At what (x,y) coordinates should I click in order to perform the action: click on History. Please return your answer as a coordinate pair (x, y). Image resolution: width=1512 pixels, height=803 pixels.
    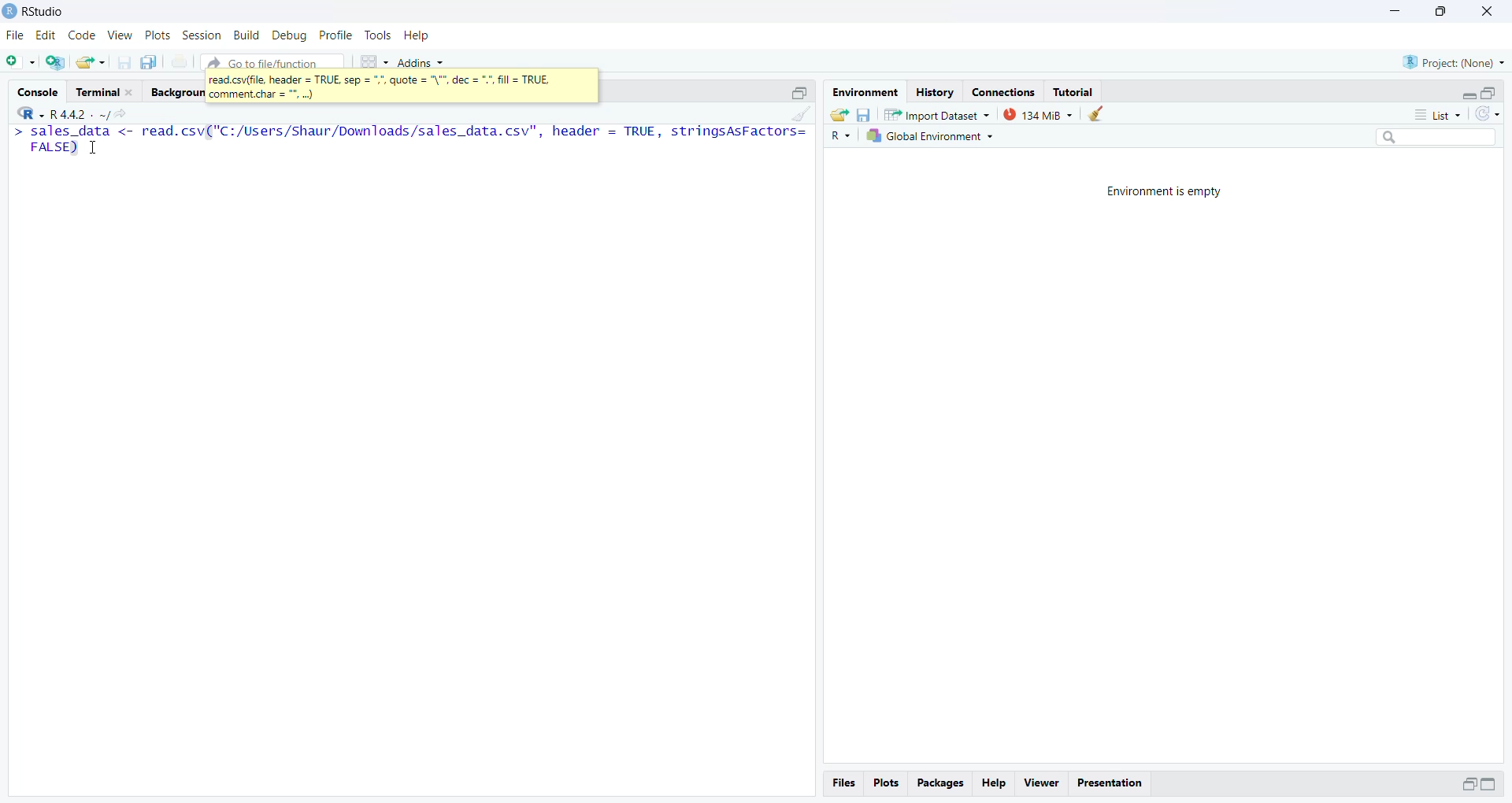
    Looking at the image, I should click on (932, 92).